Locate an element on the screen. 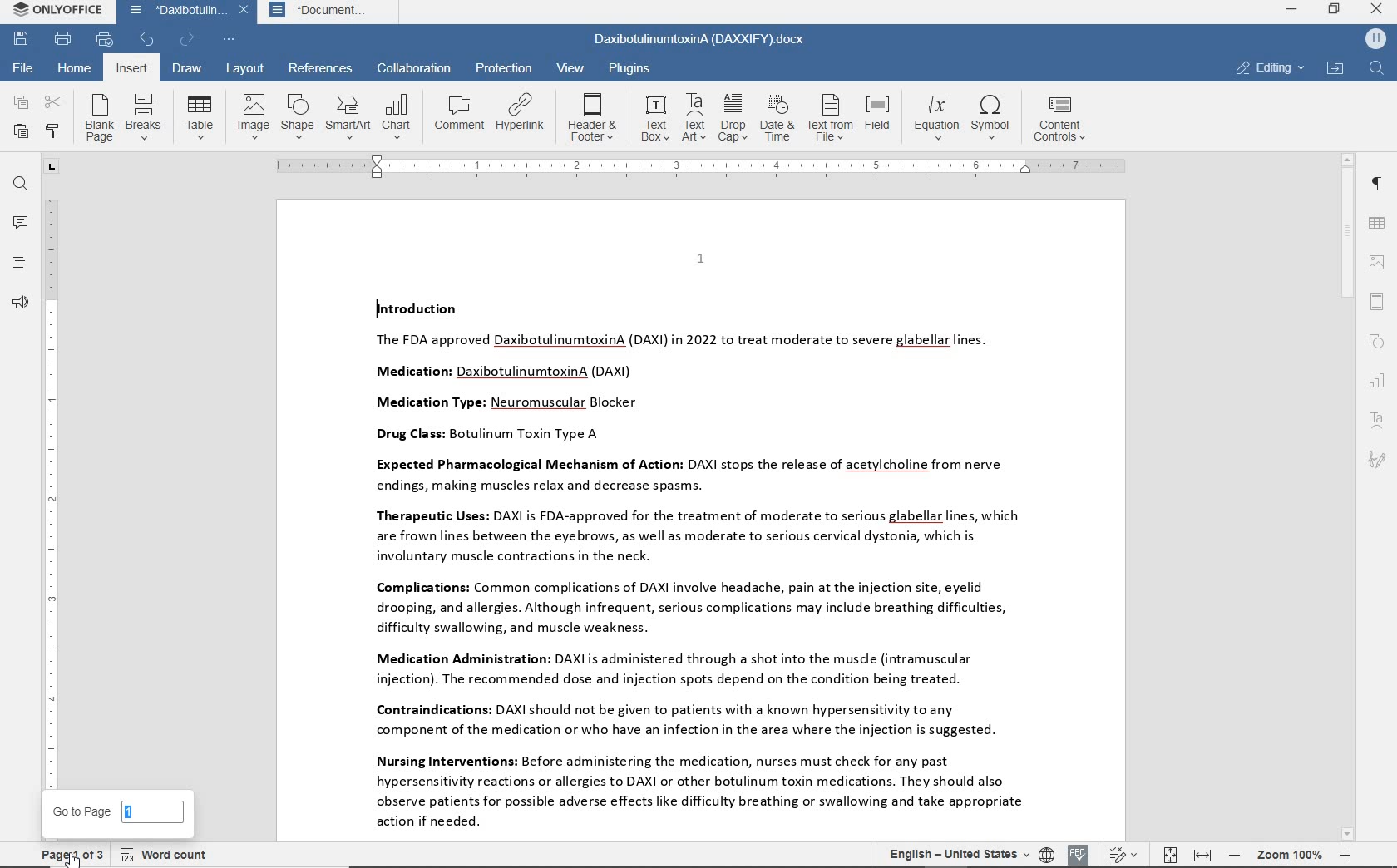 This screenshot has height=868, width=1397. track changes is located at coordinates (1122, 856).